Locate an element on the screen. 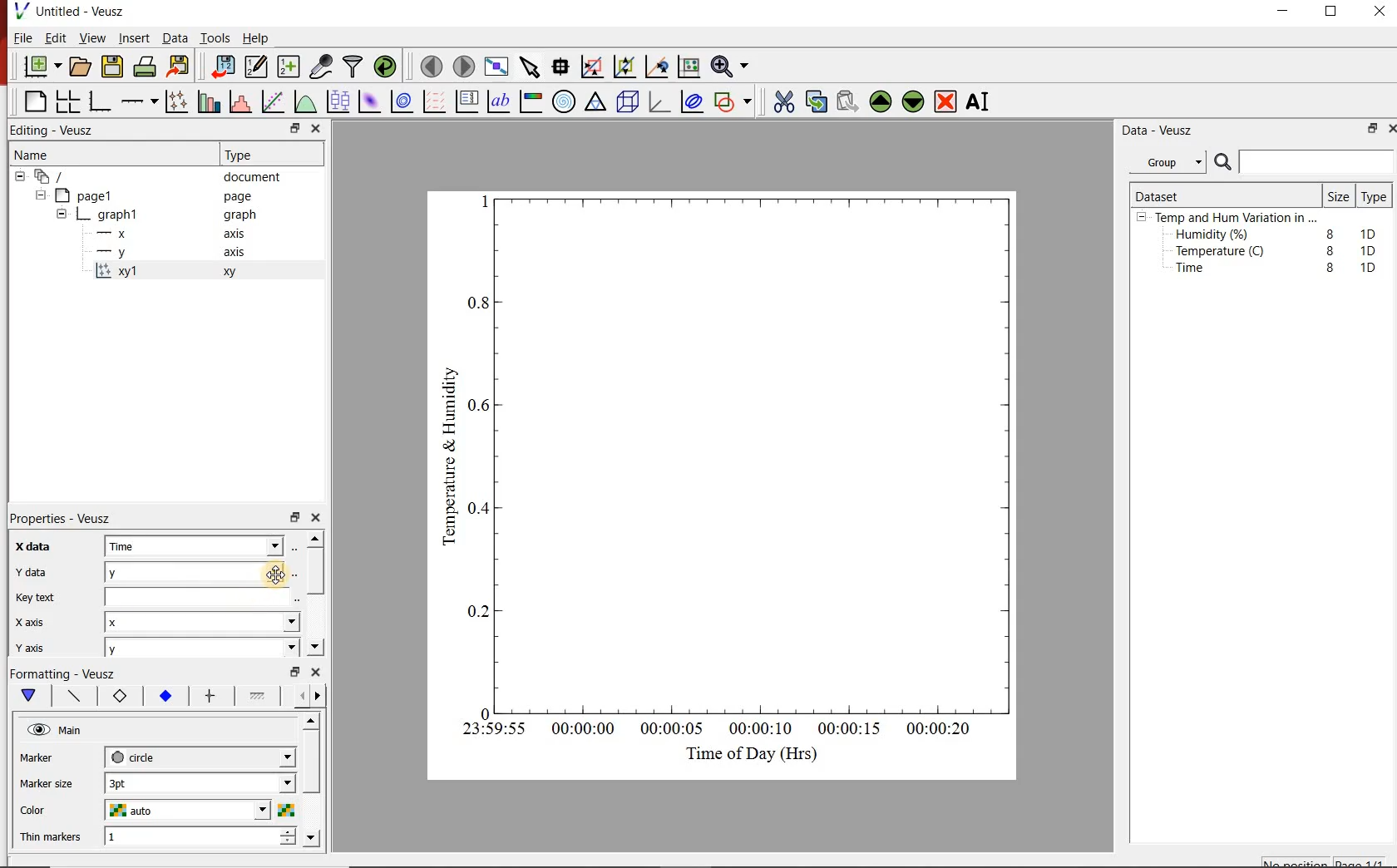 This screenshot has height=868, width=1397. hide sub menu is located at coordinates (1142, 219).